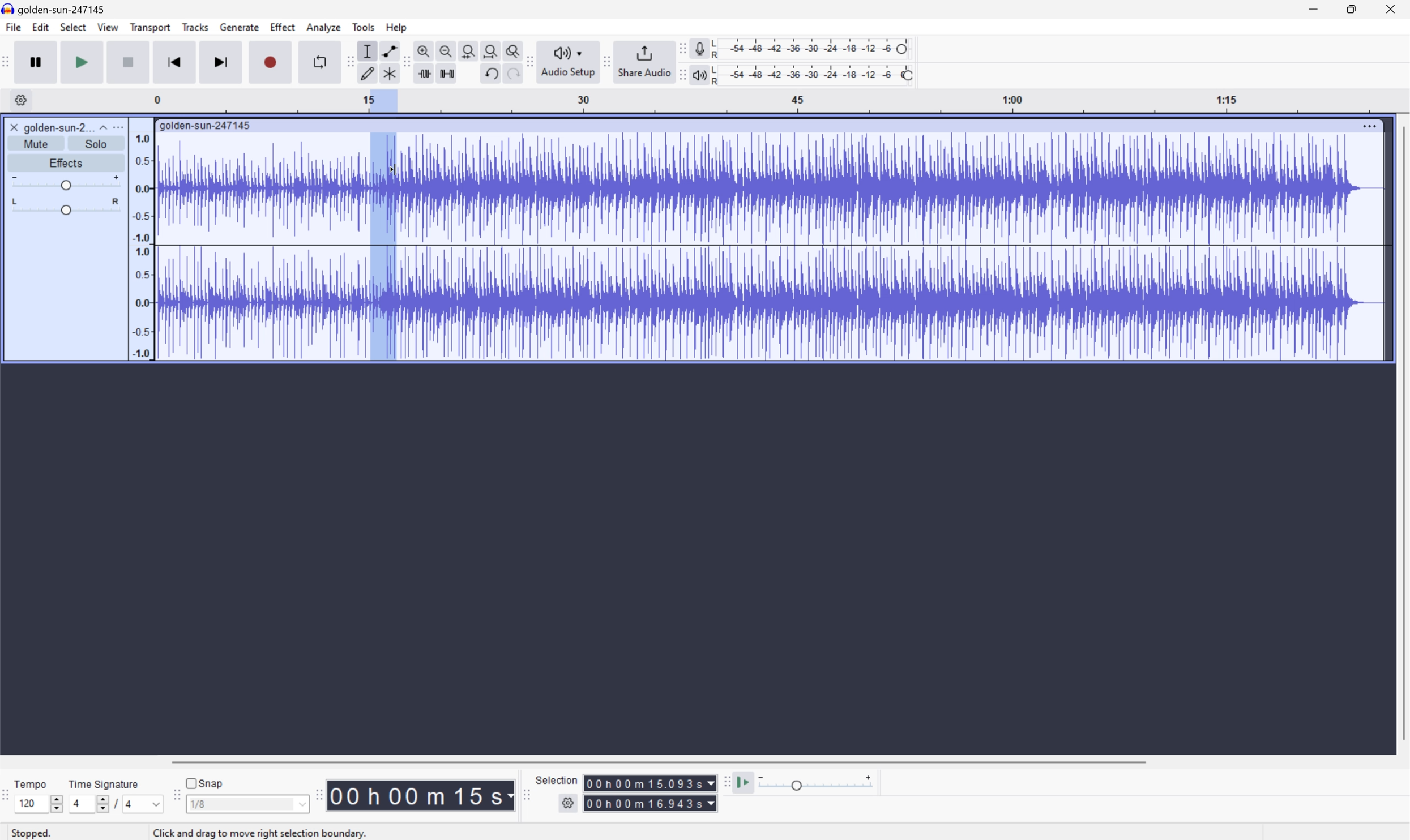  Describe the element at coordinates (130, 805) in the screenshot. I see `4` at that location.